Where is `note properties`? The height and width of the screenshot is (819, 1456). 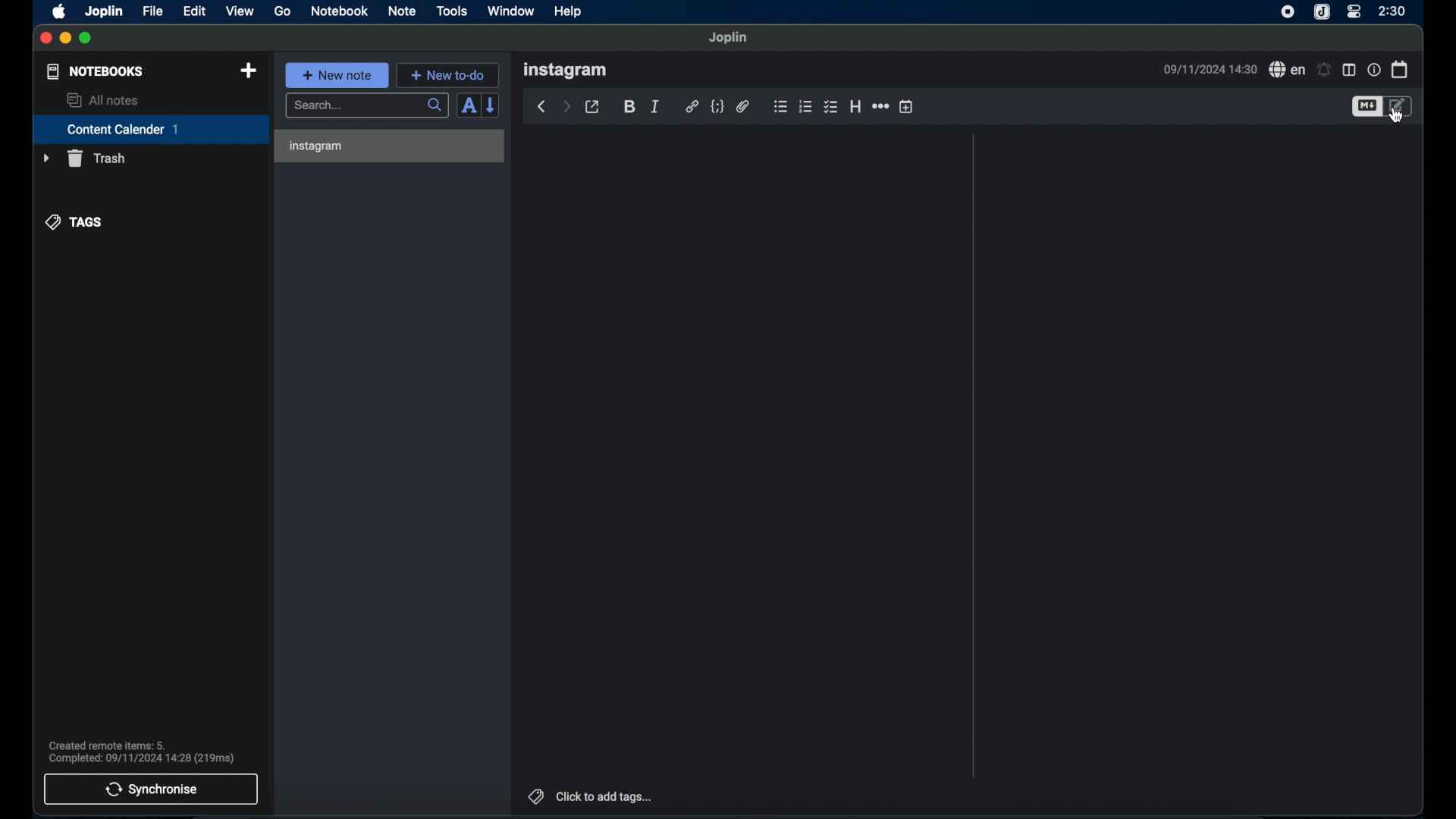
note properties is located at coordinates (1374, 69).